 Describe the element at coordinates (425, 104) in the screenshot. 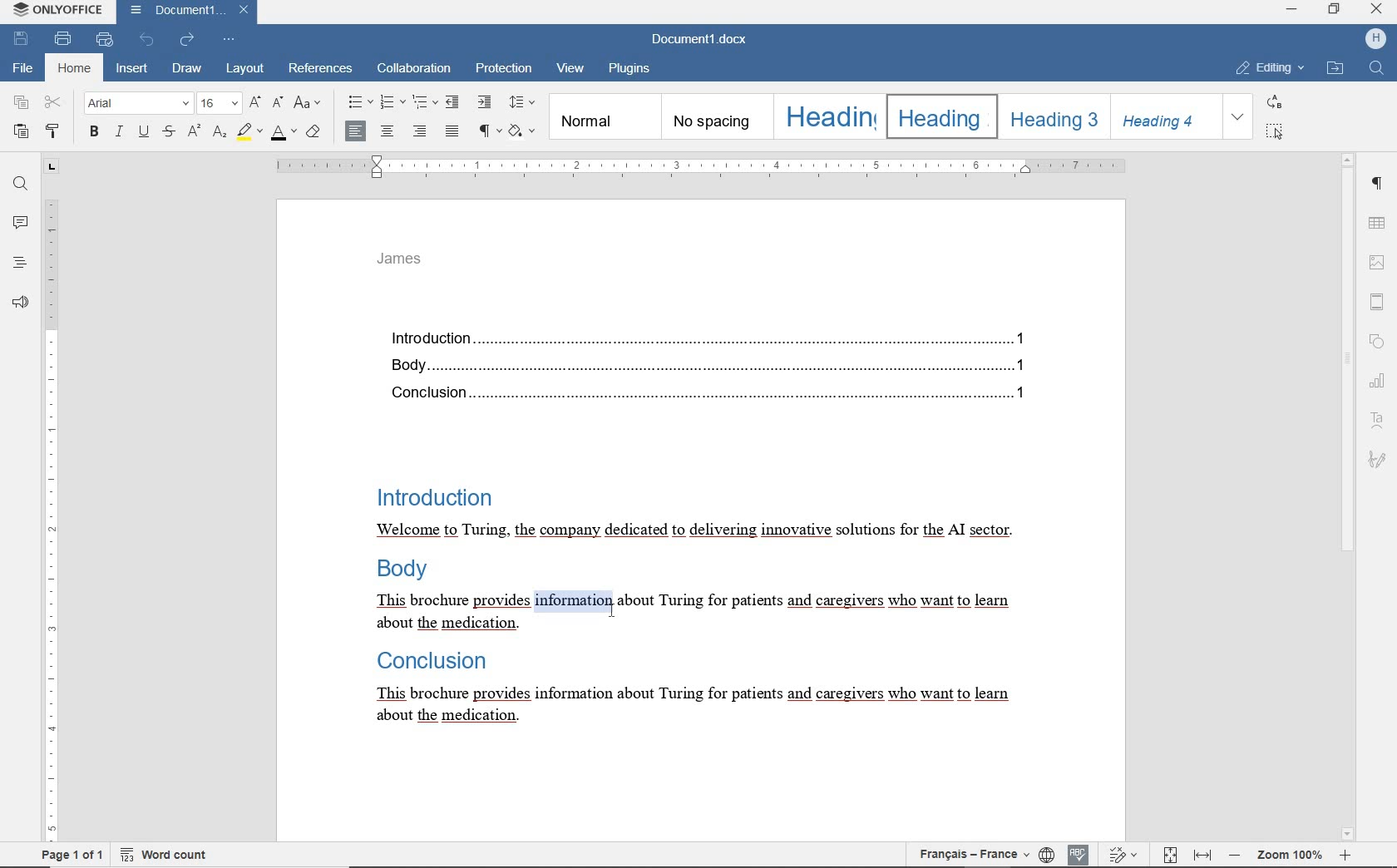

I see `SDECREASE INDENT` at that location.